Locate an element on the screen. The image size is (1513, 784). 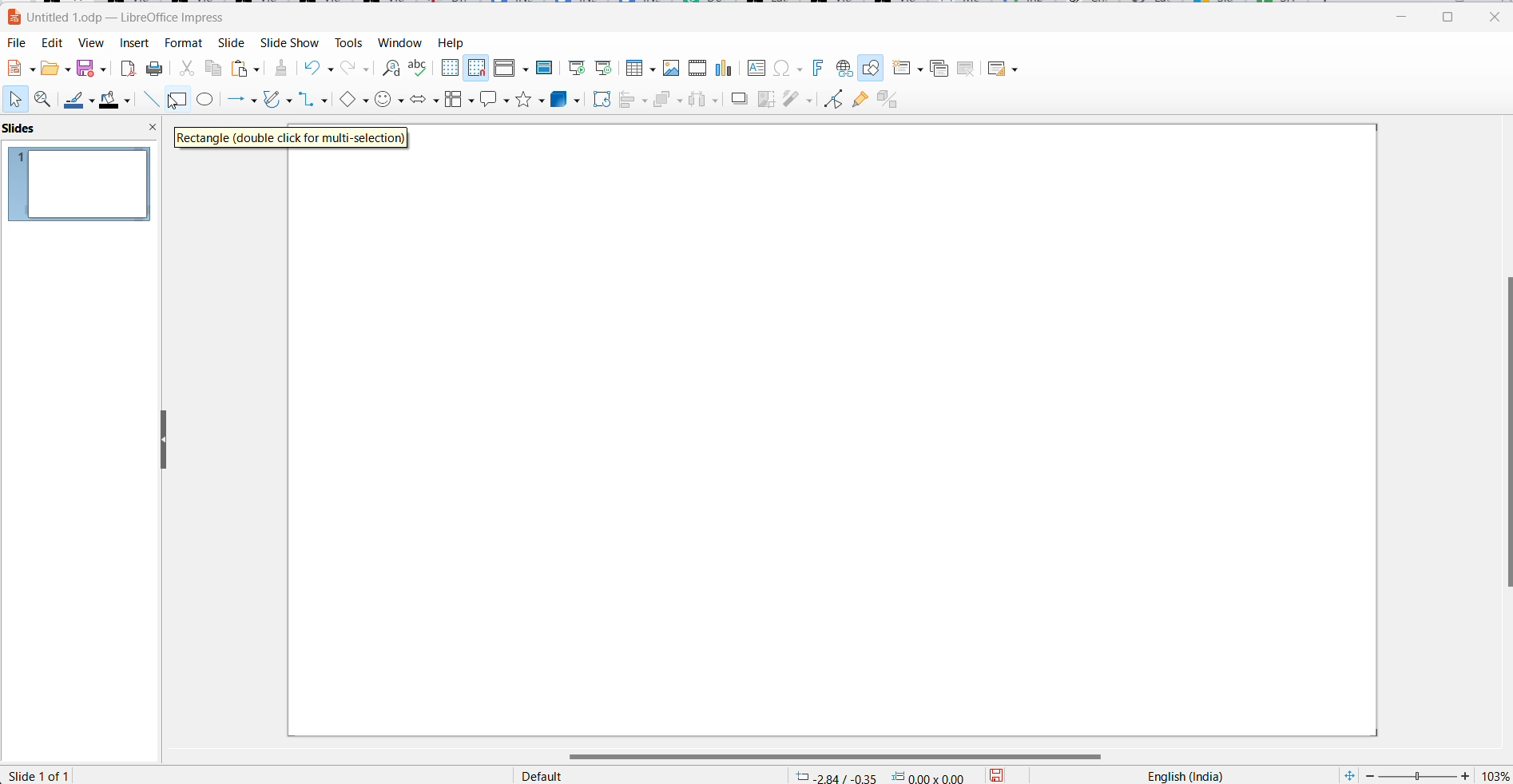
Slide layout is located at coordinates (1006, 69).